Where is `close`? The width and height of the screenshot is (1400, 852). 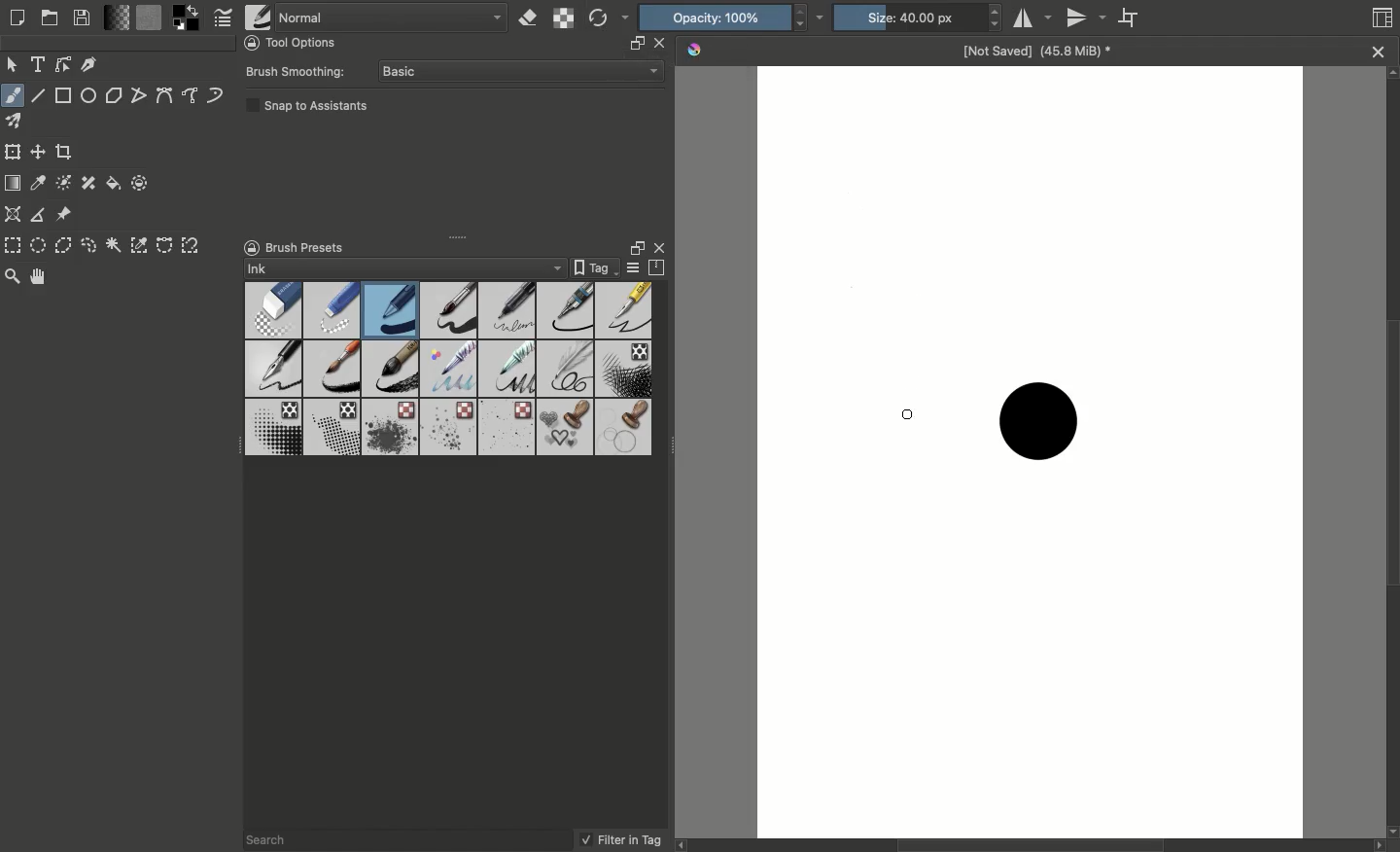 close is located at coordinates (659, 44).